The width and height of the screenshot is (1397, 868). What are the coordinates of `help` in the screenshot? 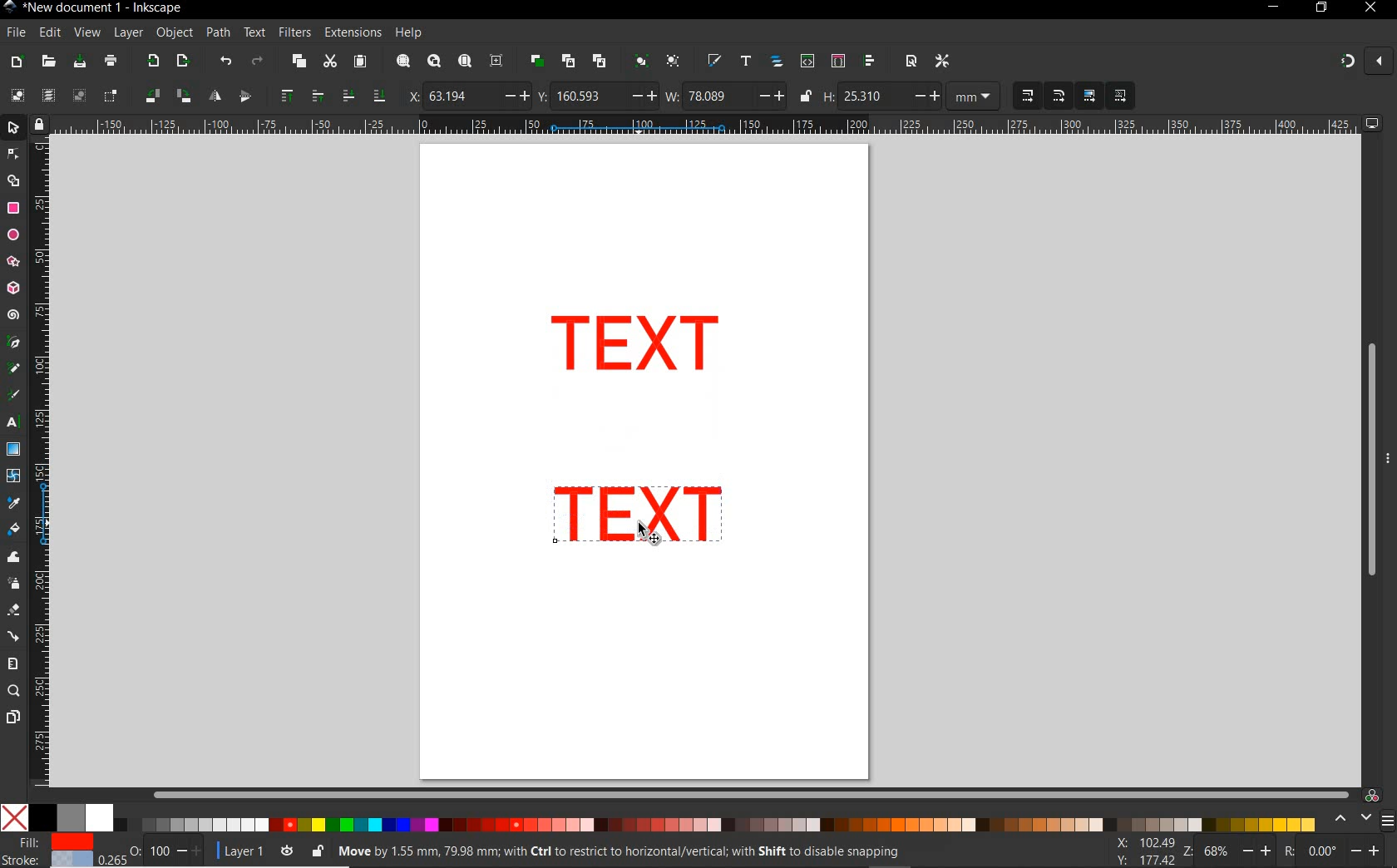 It's located at (409, 33).